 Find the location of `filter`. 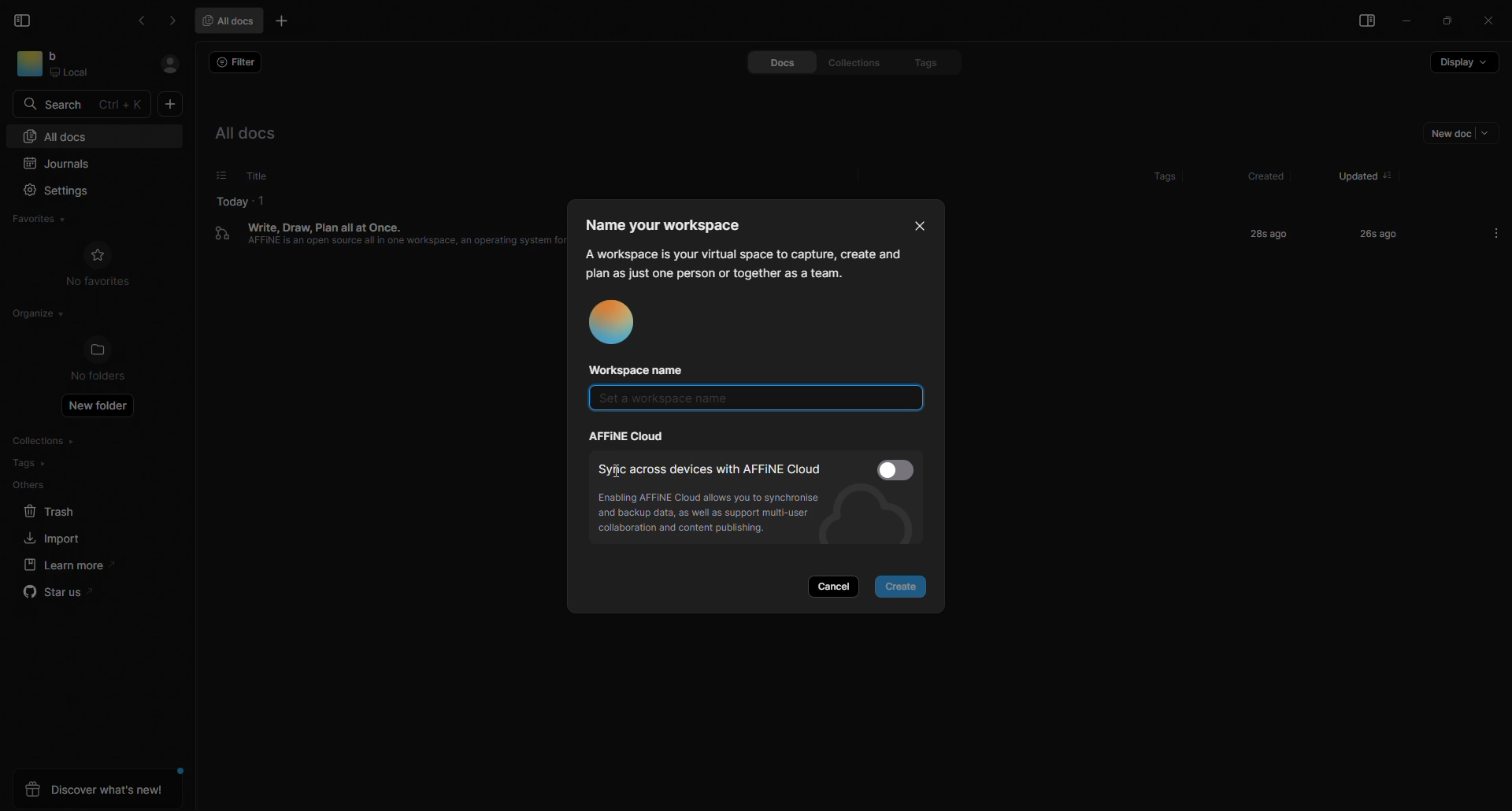

filter is located at coordinates (238, 63).